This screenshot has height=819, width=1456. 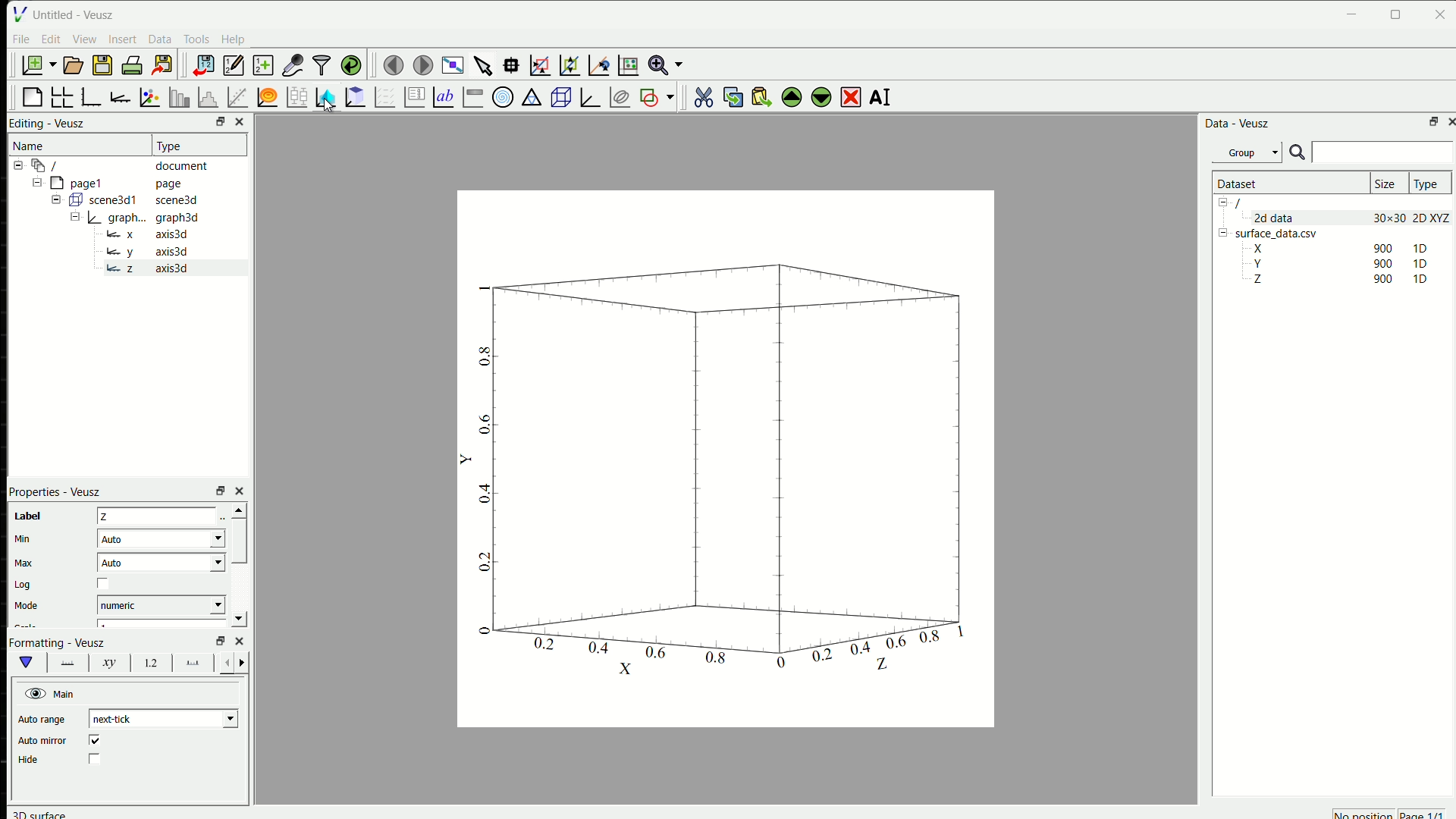 What do you see at coordinates (229, 718) in the screenshot?
I see `Drop-down ` at bounding box center [229, 718].